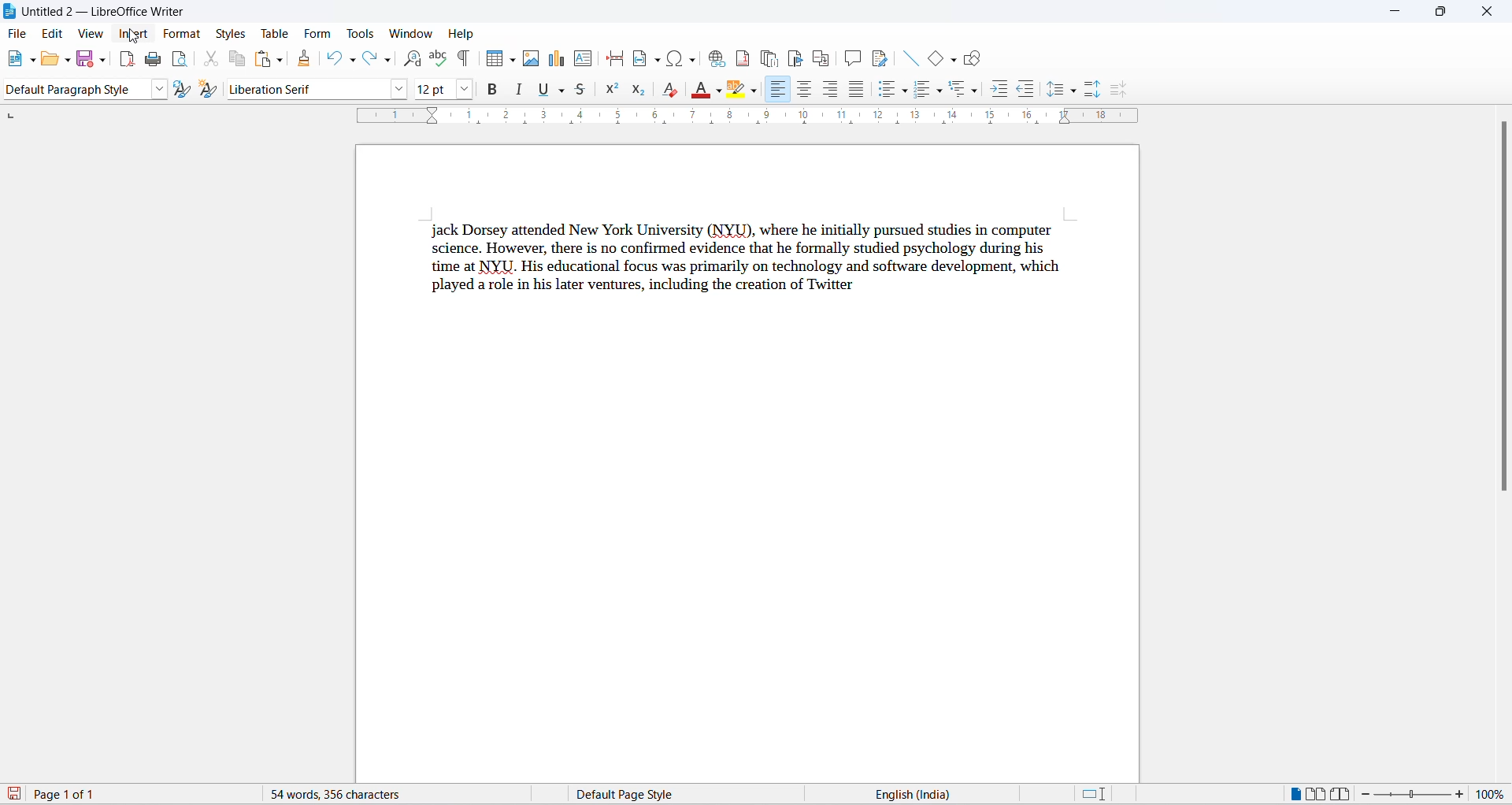 The image size is (1512, 805). What do you see at coordinates (306, 58) in the screenshot?
I see `clone formatting` at bounding box center [306, 58].